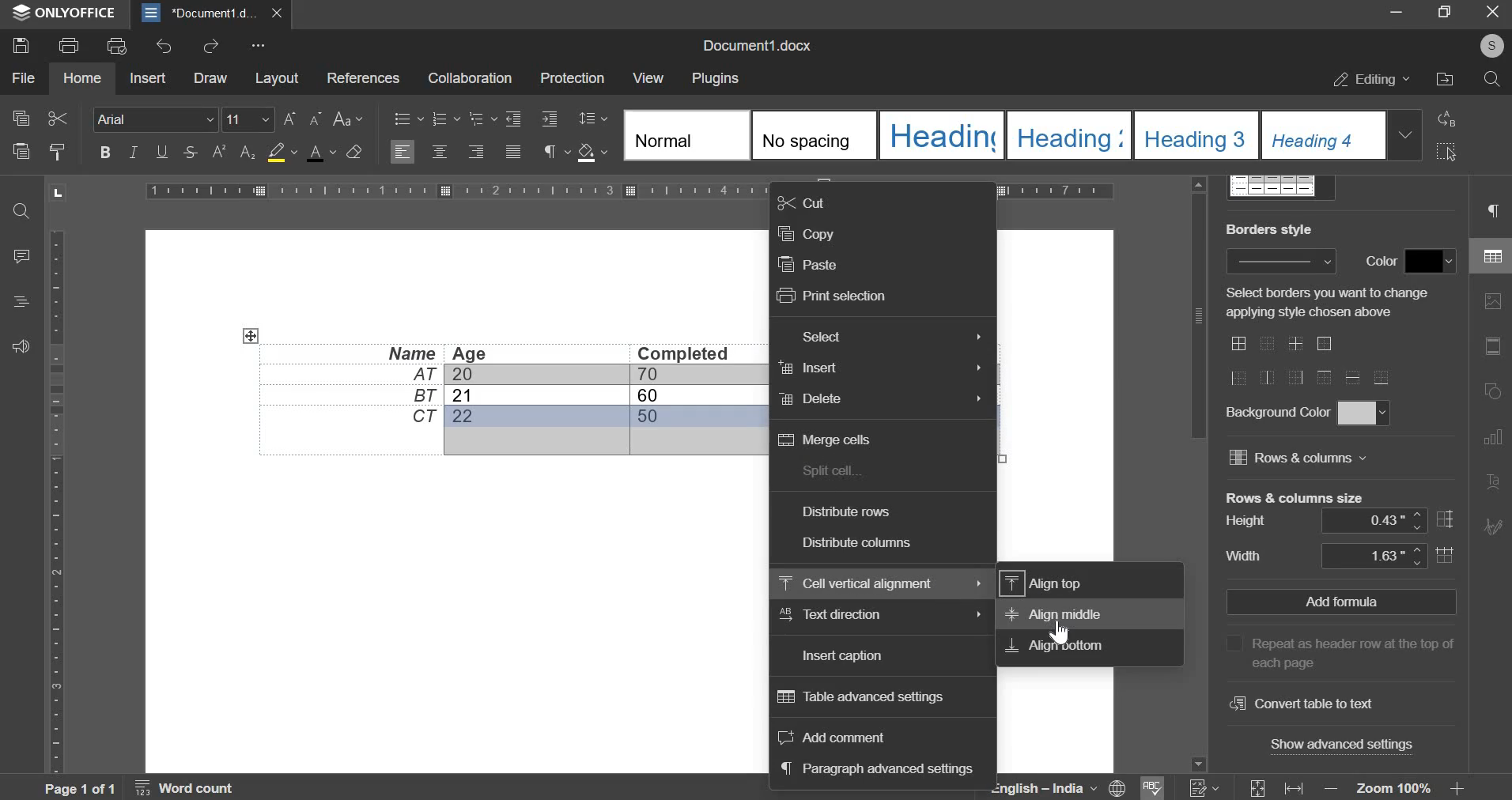 The image size is (1512, 800). I want to click on horizontal scale, so click(56, 491).